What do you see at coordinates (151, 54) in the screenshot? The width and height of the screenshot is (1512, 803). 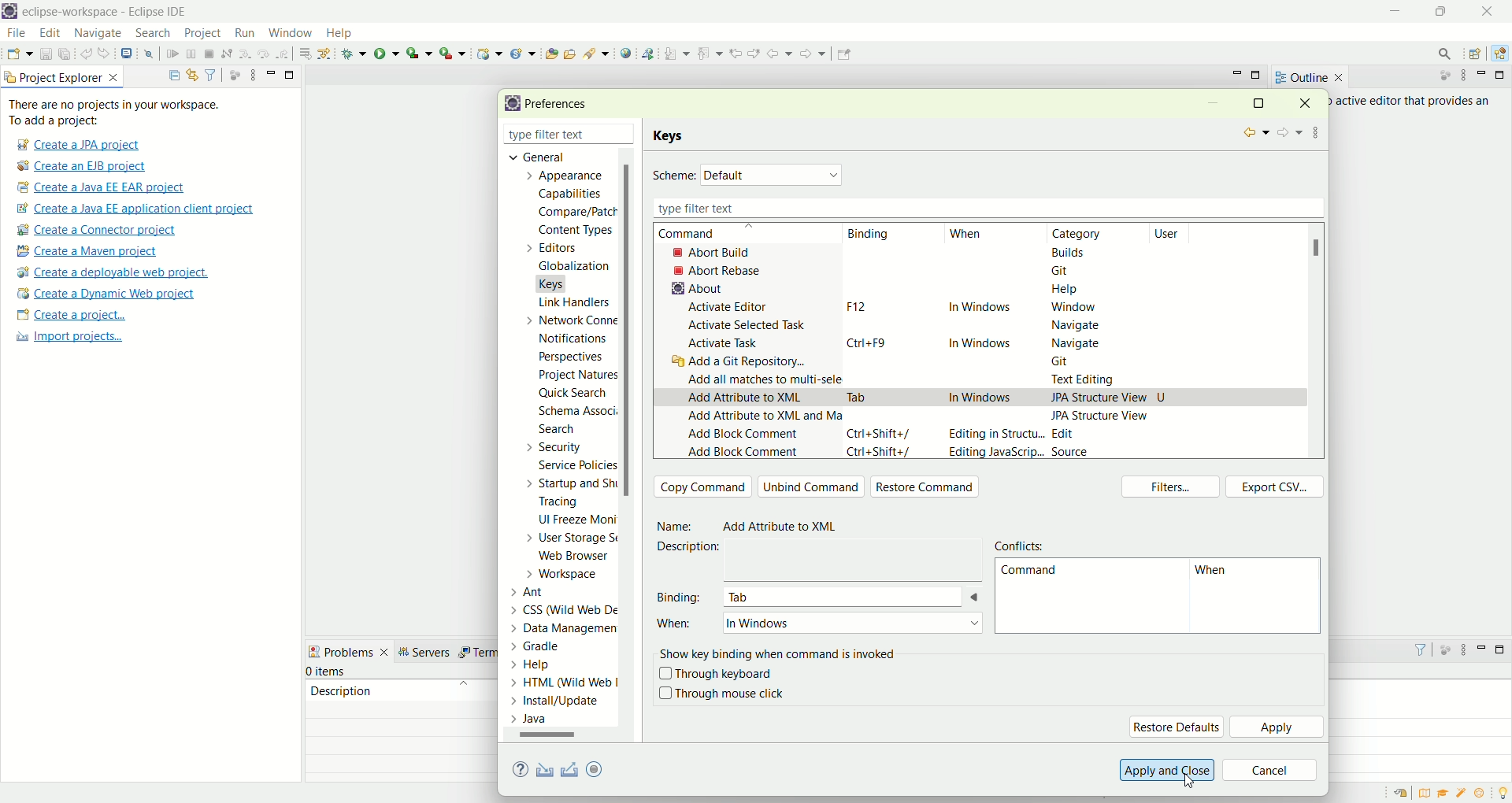 I see `skip all breakpoints` at bounding box center [151, 54].